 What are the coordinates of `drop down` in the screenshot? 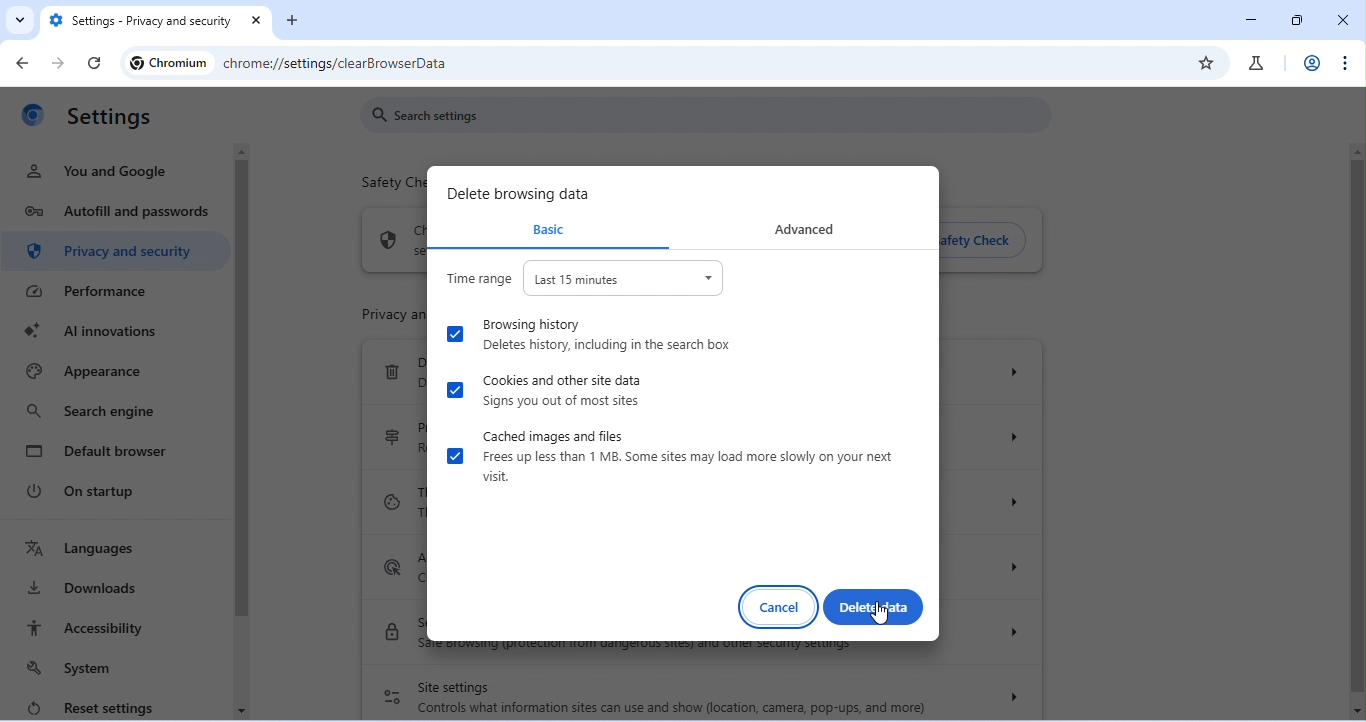 It's located at (1018, 371).